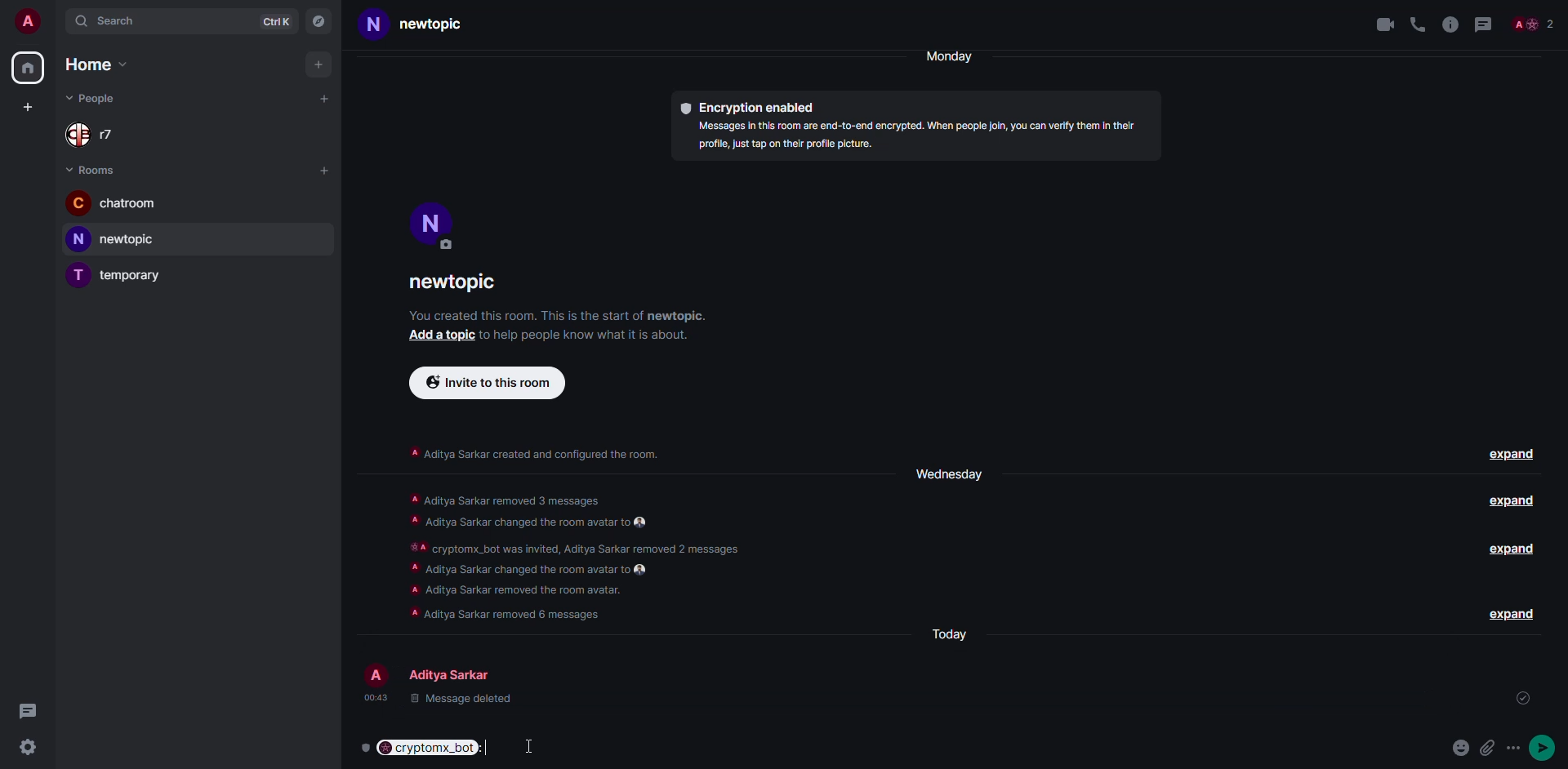  I want to click on encryption enabled, so click(751, 109).